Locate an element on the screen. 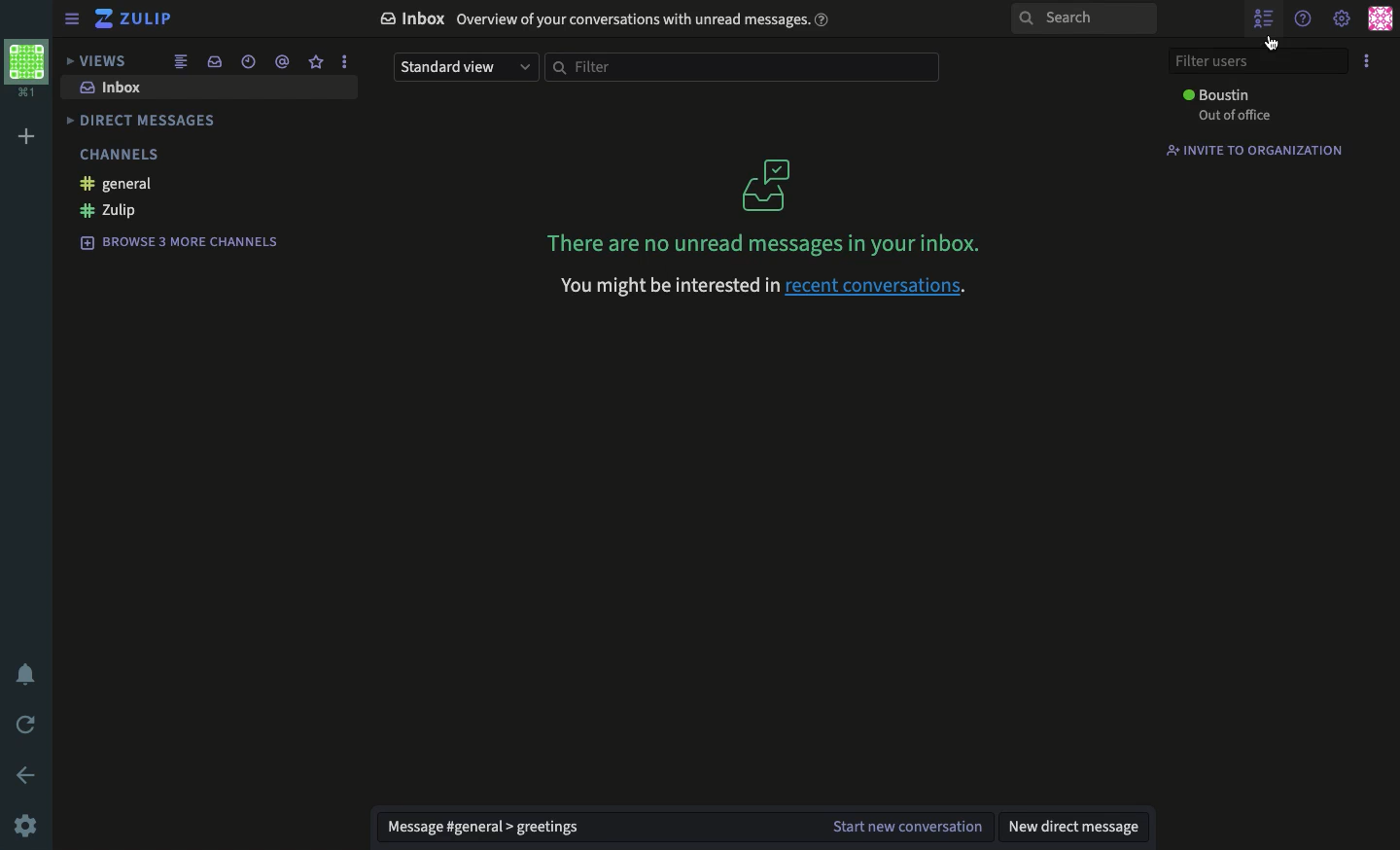 Image resolution: width=1400 pixels, height=850 pixels. filter is located at coordinates (744, 67).